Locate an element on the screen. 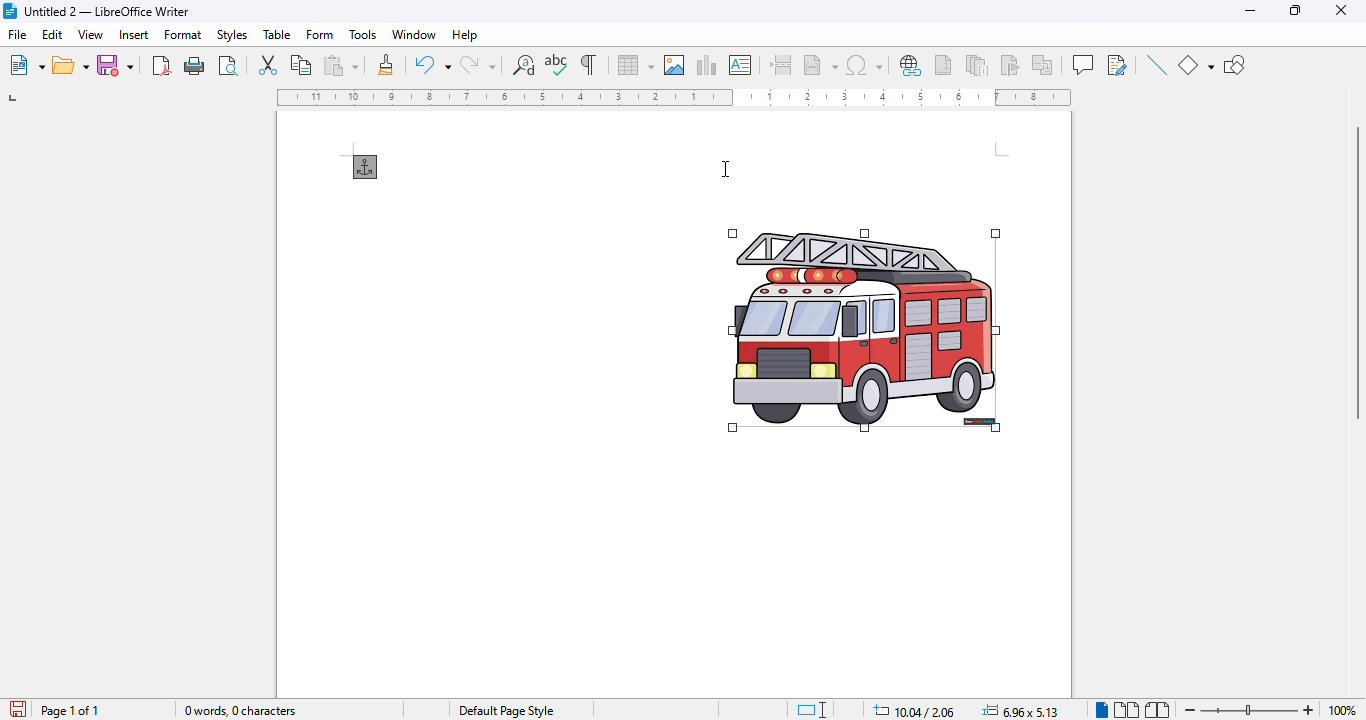 The height and width of the screenshot is (720, 1366). toggle formatting marks is located at coordinates (590, 64).